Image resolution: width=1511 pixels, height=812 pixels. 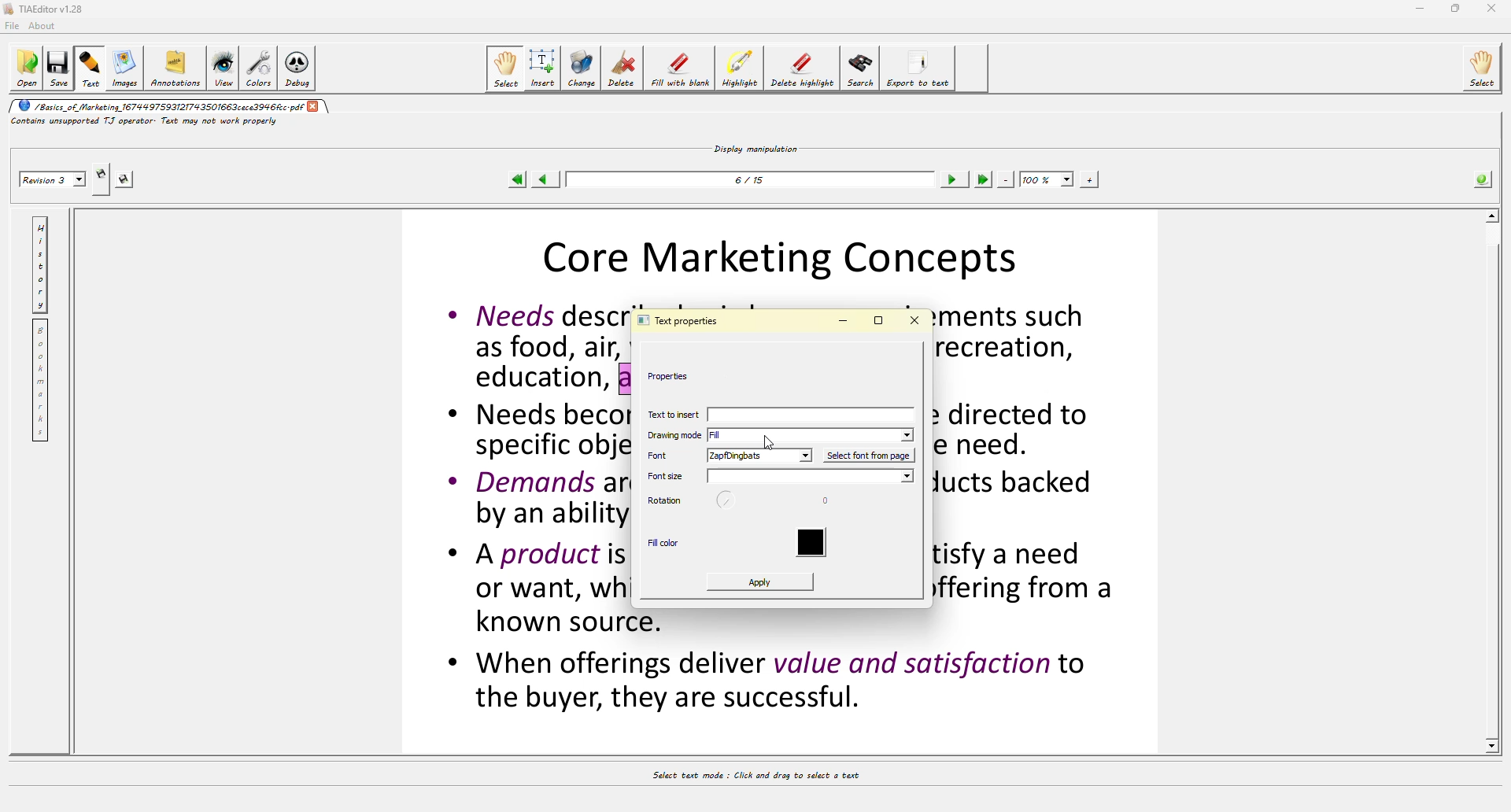 I want to click on rotation, so click(x=663, y=500).